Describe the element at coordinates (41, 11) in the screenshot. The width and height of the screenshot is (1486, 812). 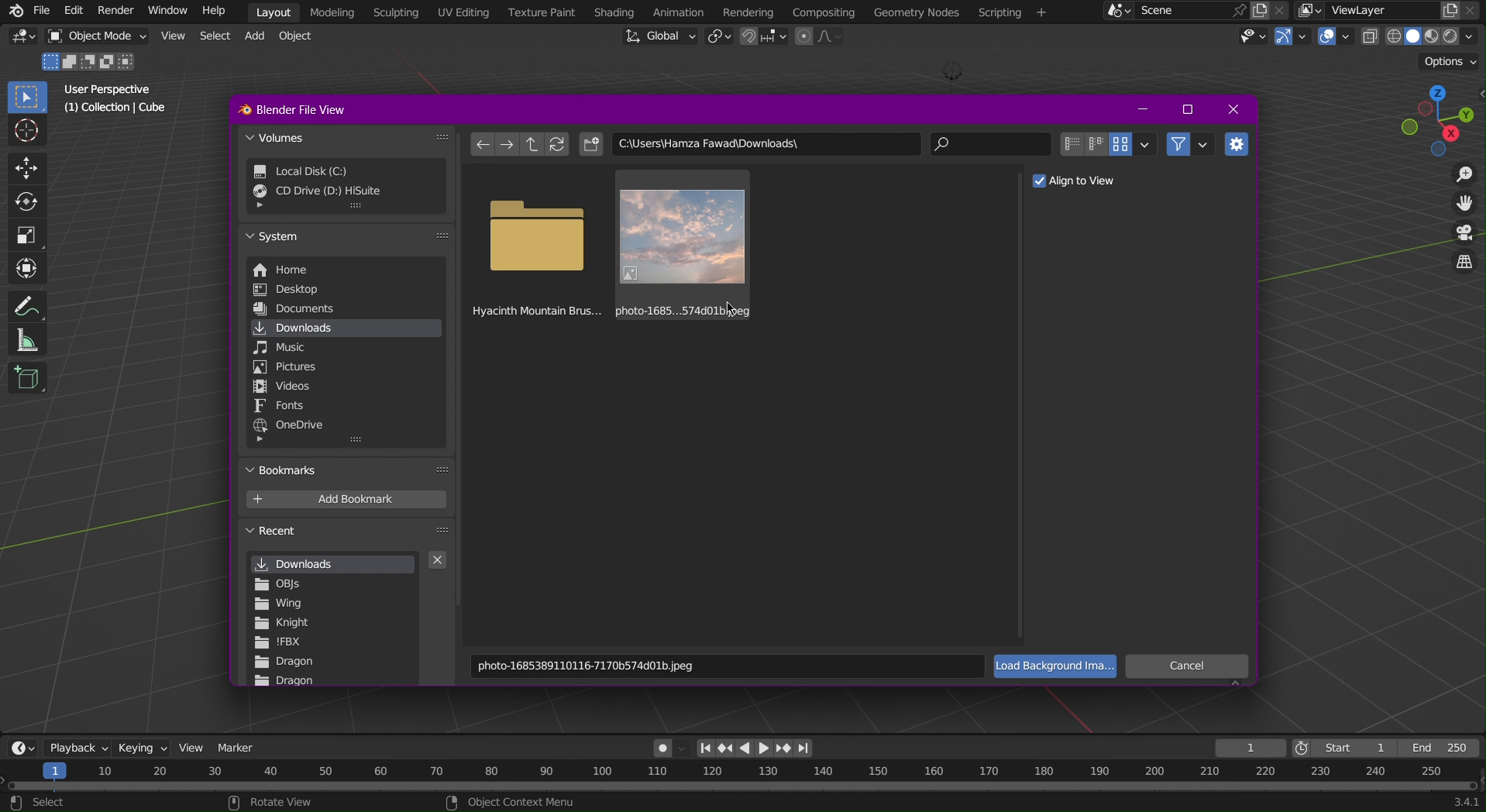
I see `File` at that location.